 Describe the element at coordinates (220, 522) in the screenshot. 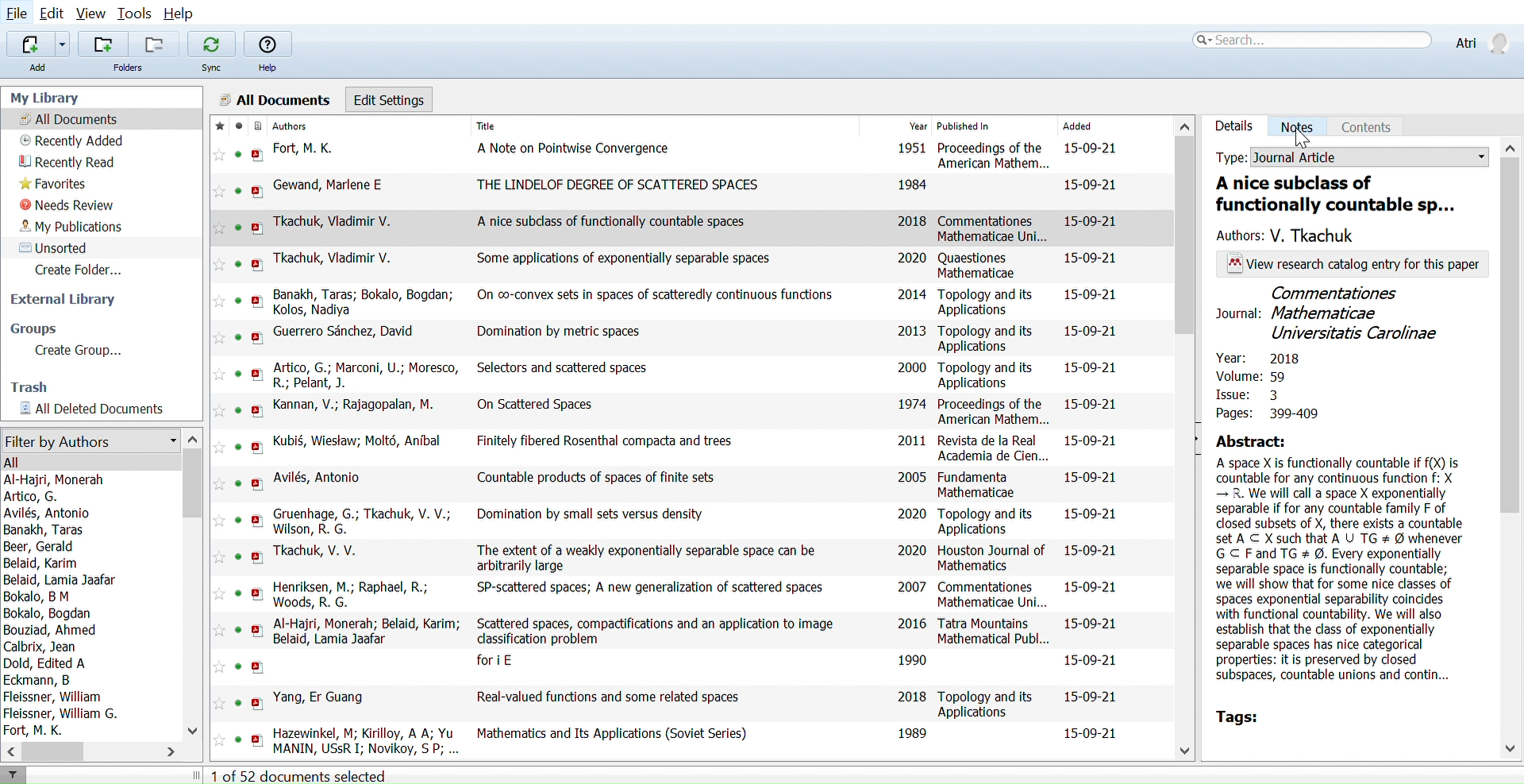

I see `Add this reference to favorites` at that location.